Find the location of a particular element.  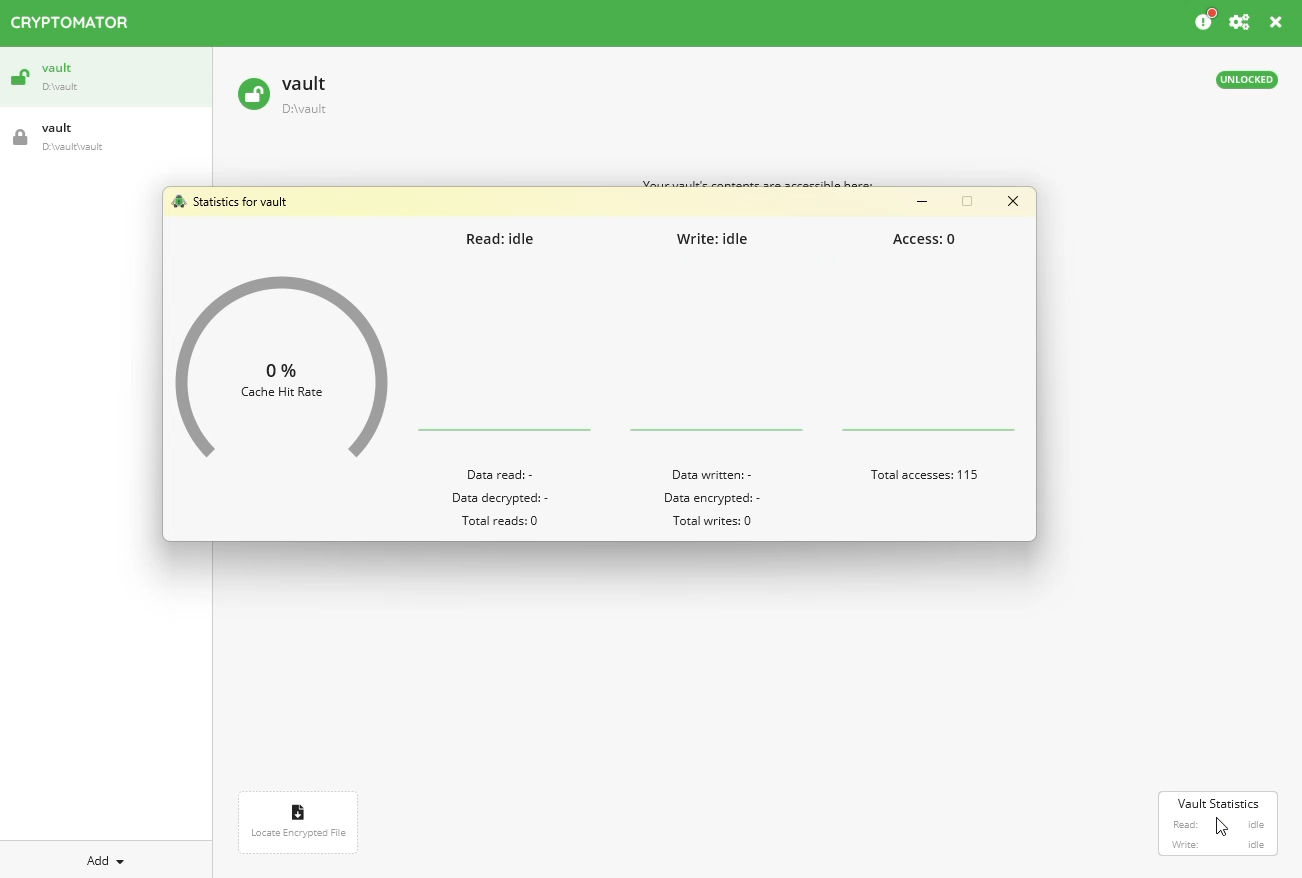

unlocked is located at coordinates (1249, 80).